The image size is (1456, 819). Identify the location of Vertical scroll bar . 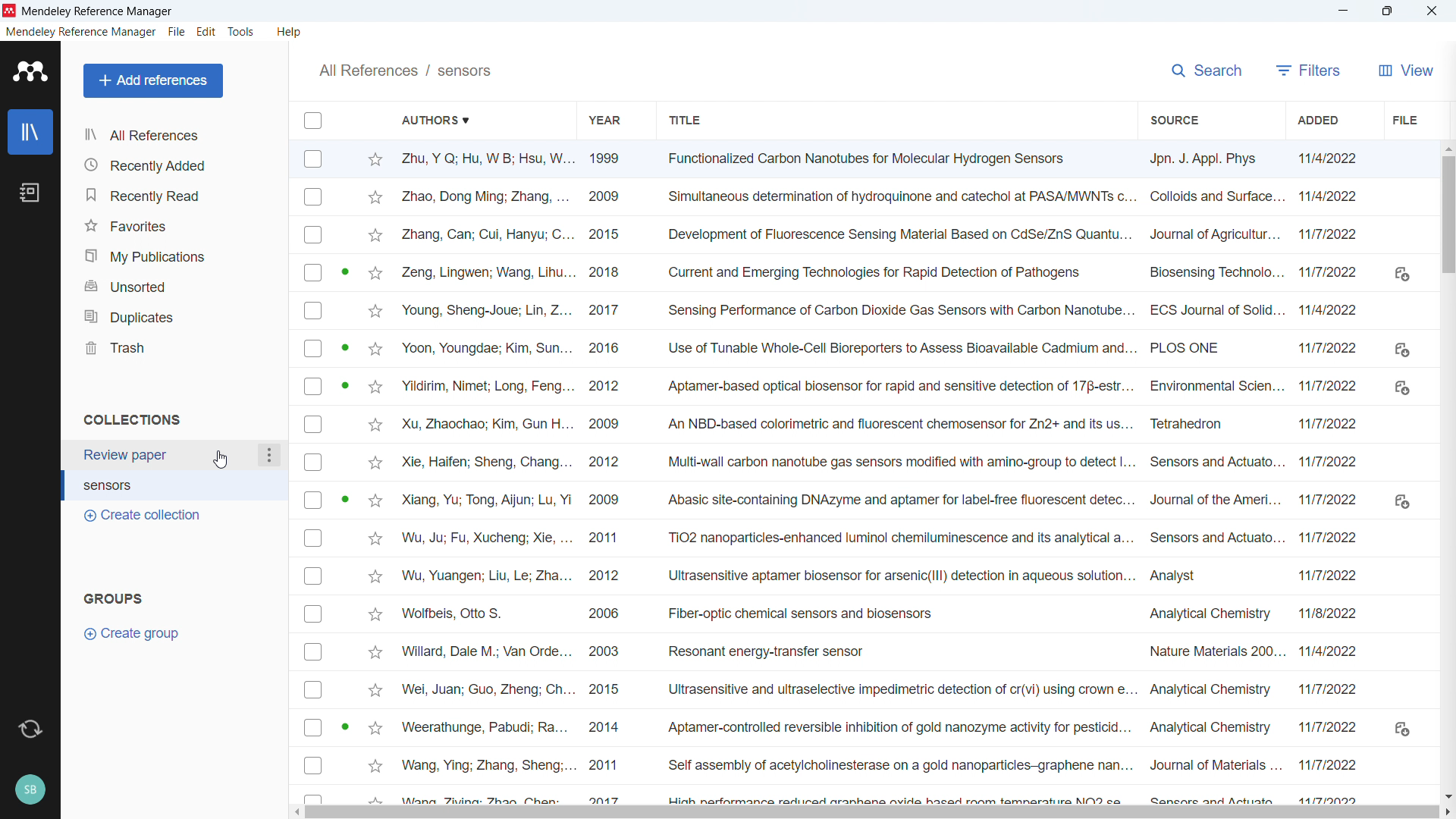
(1449, 213).